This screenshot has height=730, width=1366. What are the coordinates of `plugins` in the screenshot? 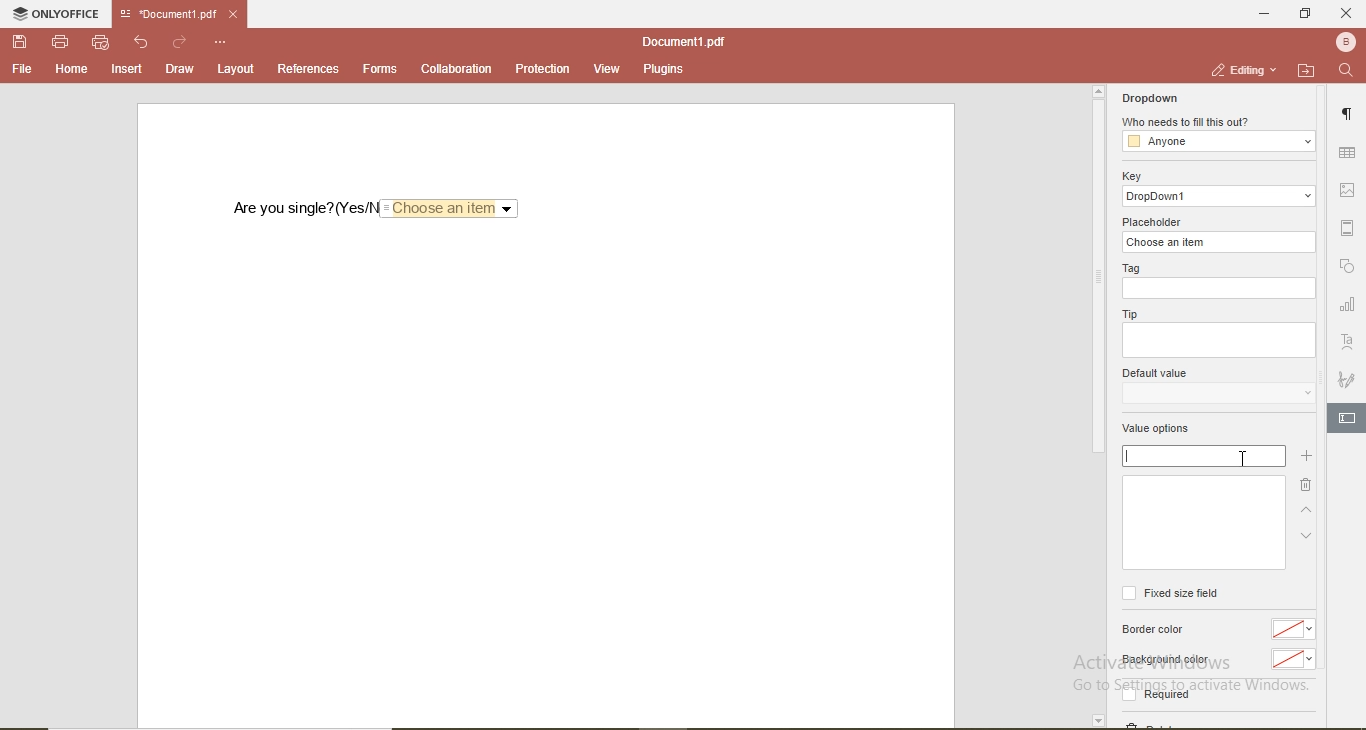 It's located at (660, 69).